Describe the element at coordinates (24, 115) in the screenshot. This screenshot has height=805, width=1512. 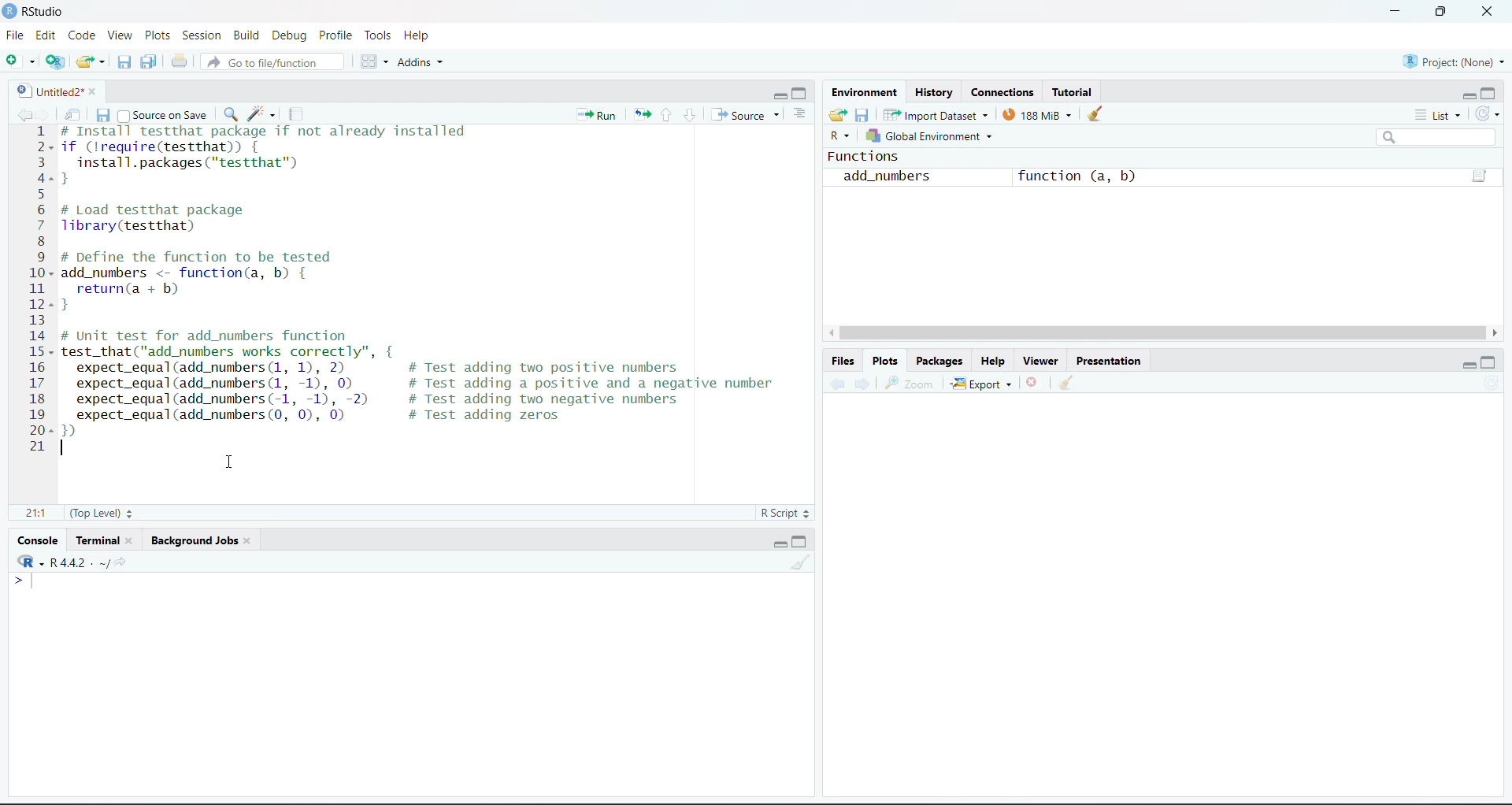
I see `previous` at that location.